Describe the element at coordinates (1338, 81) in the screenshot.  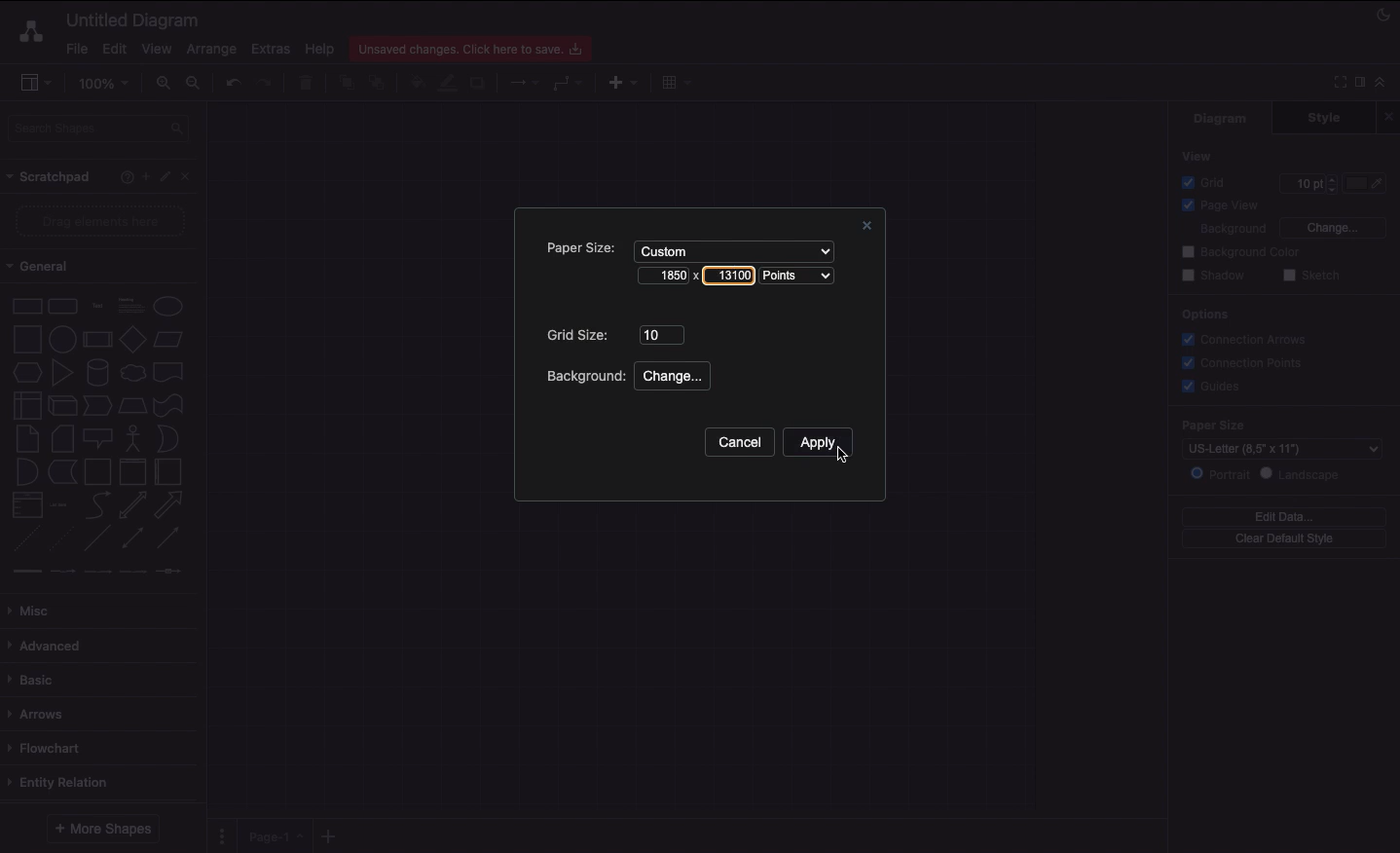
I see `Full screen` at that location.